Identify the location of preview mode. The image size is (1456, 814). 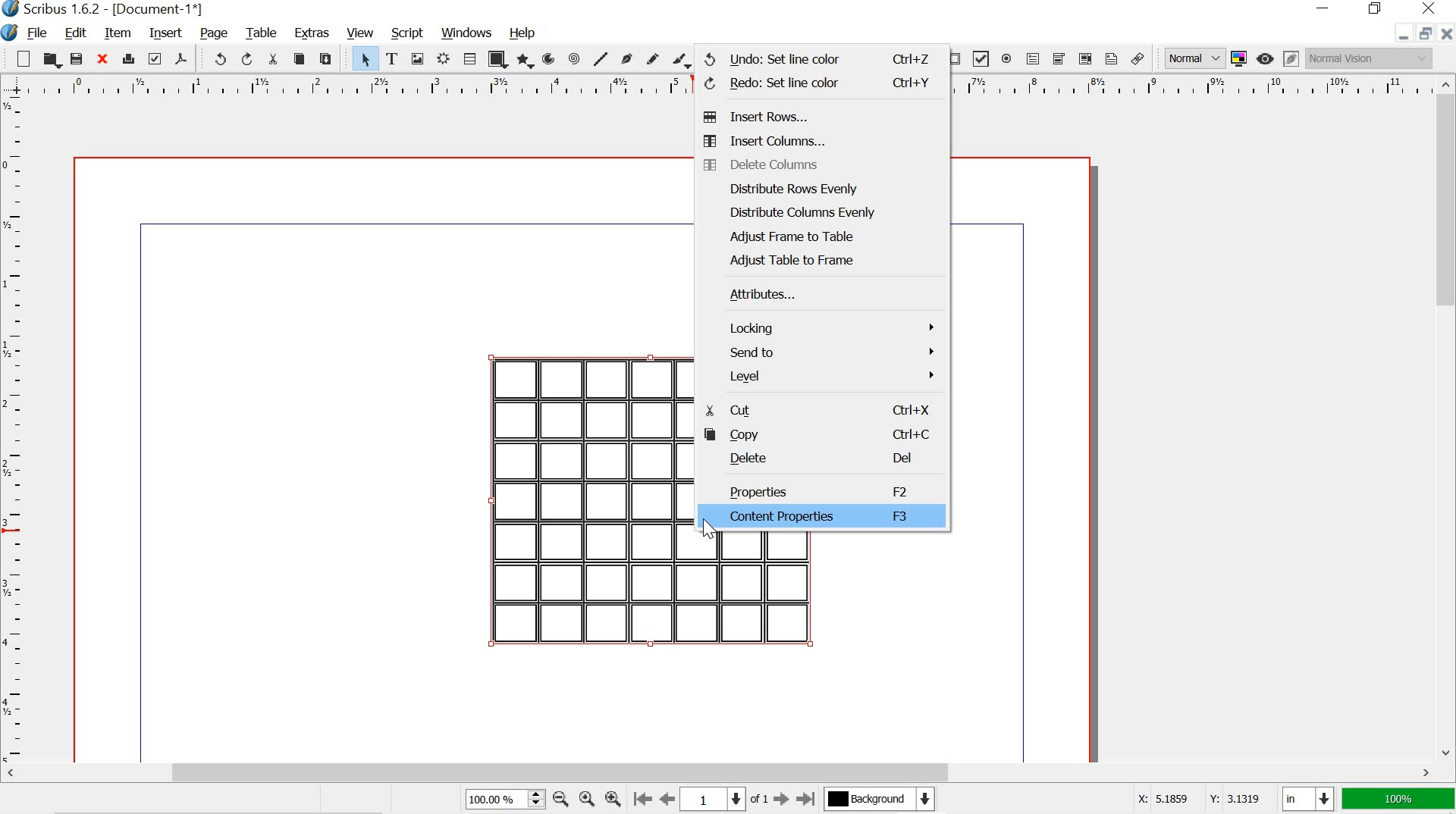
(1265, 59).